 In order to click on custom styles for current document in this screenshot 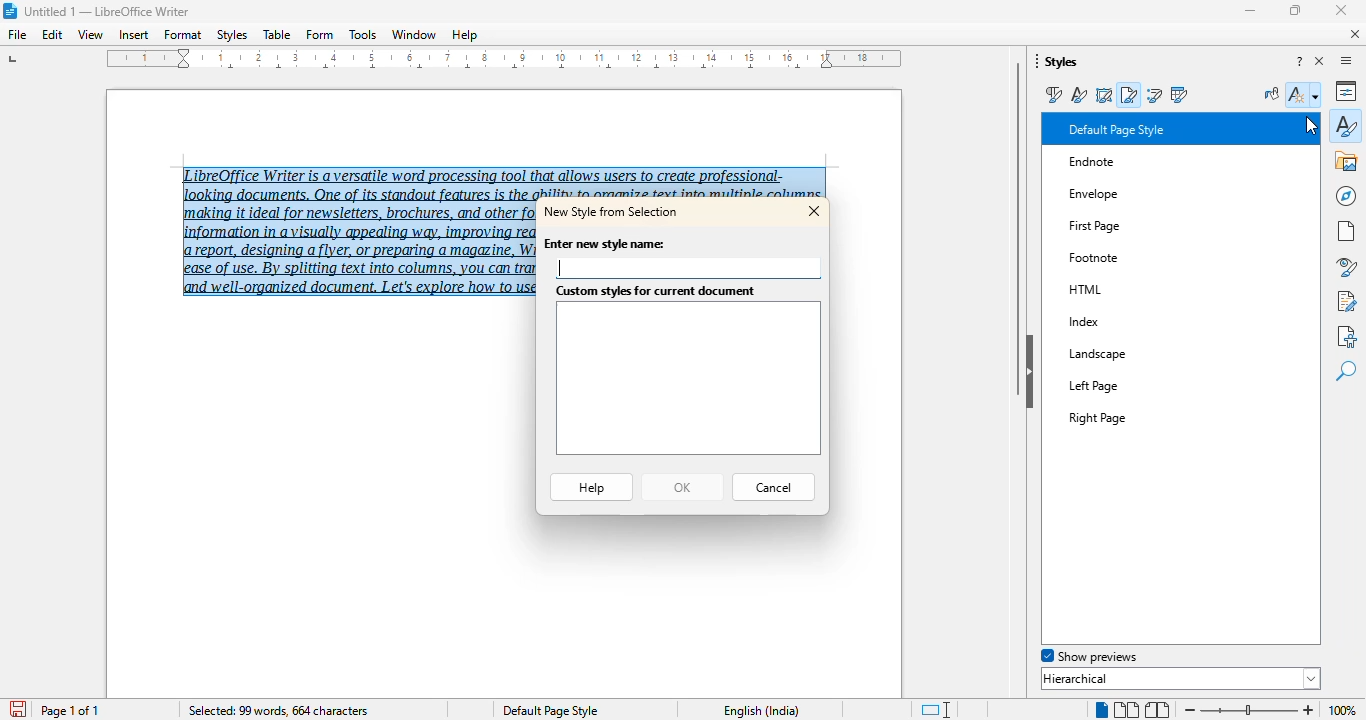, I will do `click(686, 380)`.